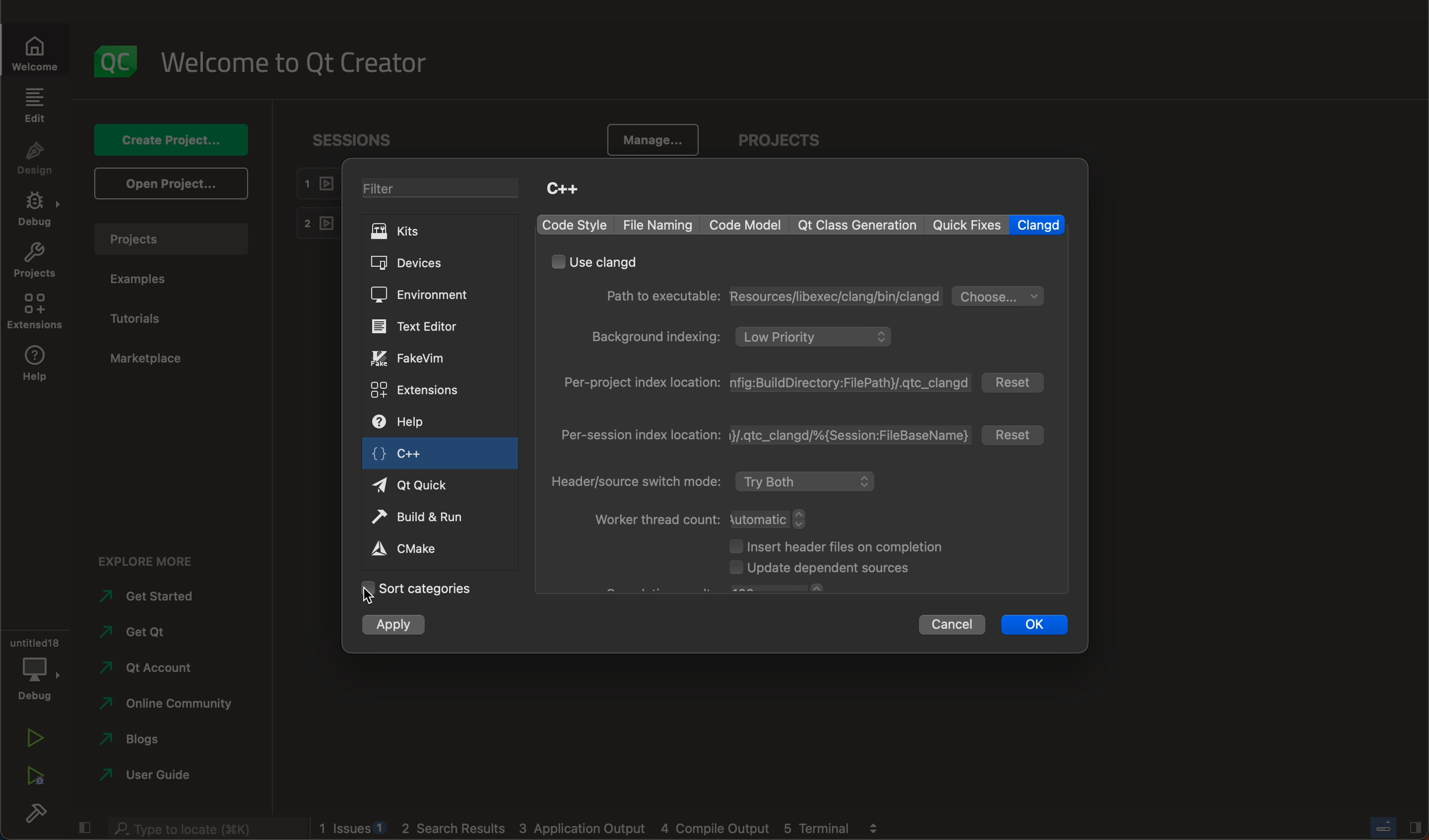 The width and height of the screenshot is (1429, 840). What do you see at coordinates (967, 225) in the screenshot?
I see `fixes` at bounding box center [967, 225].